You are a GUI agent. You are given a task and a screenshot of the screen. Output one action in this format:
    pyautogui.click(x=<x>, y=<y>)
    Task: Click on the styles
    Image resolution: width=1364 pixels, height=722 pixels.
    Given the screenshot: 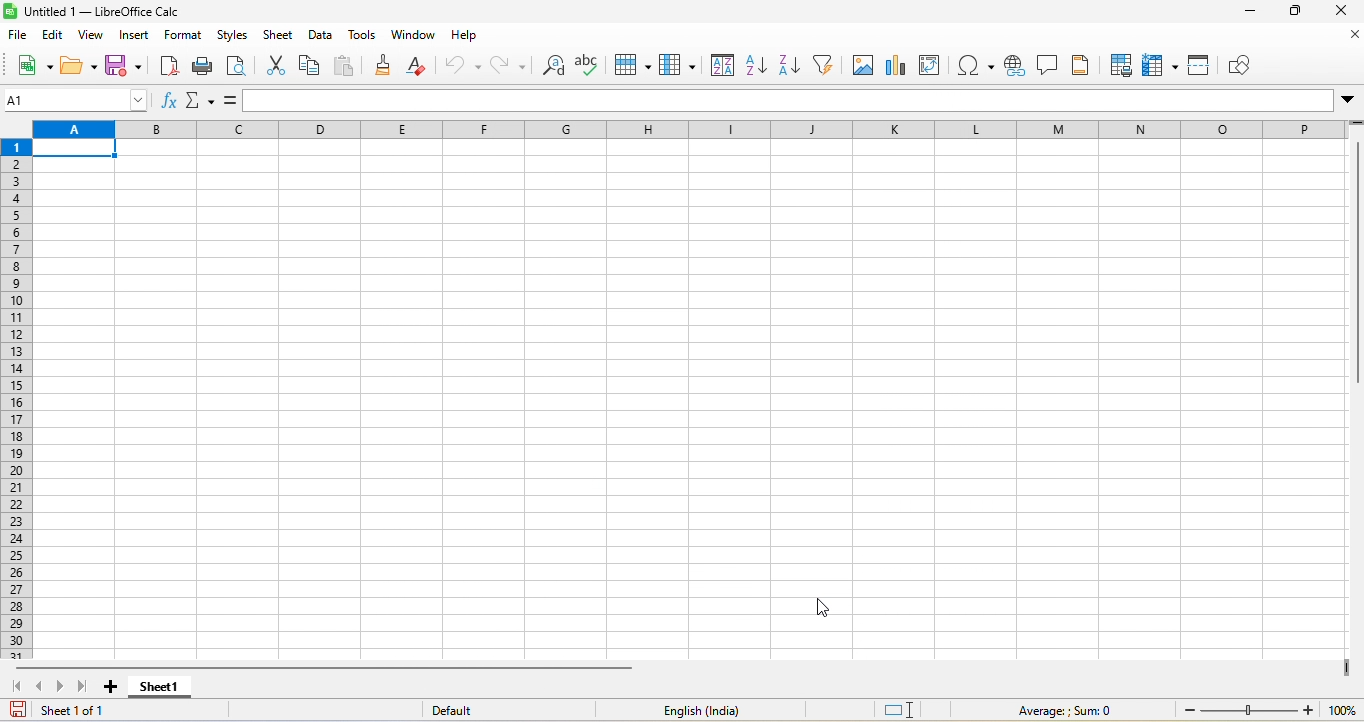 What is the action you would take?
    pyautogui.click(x=233, y=38)
    